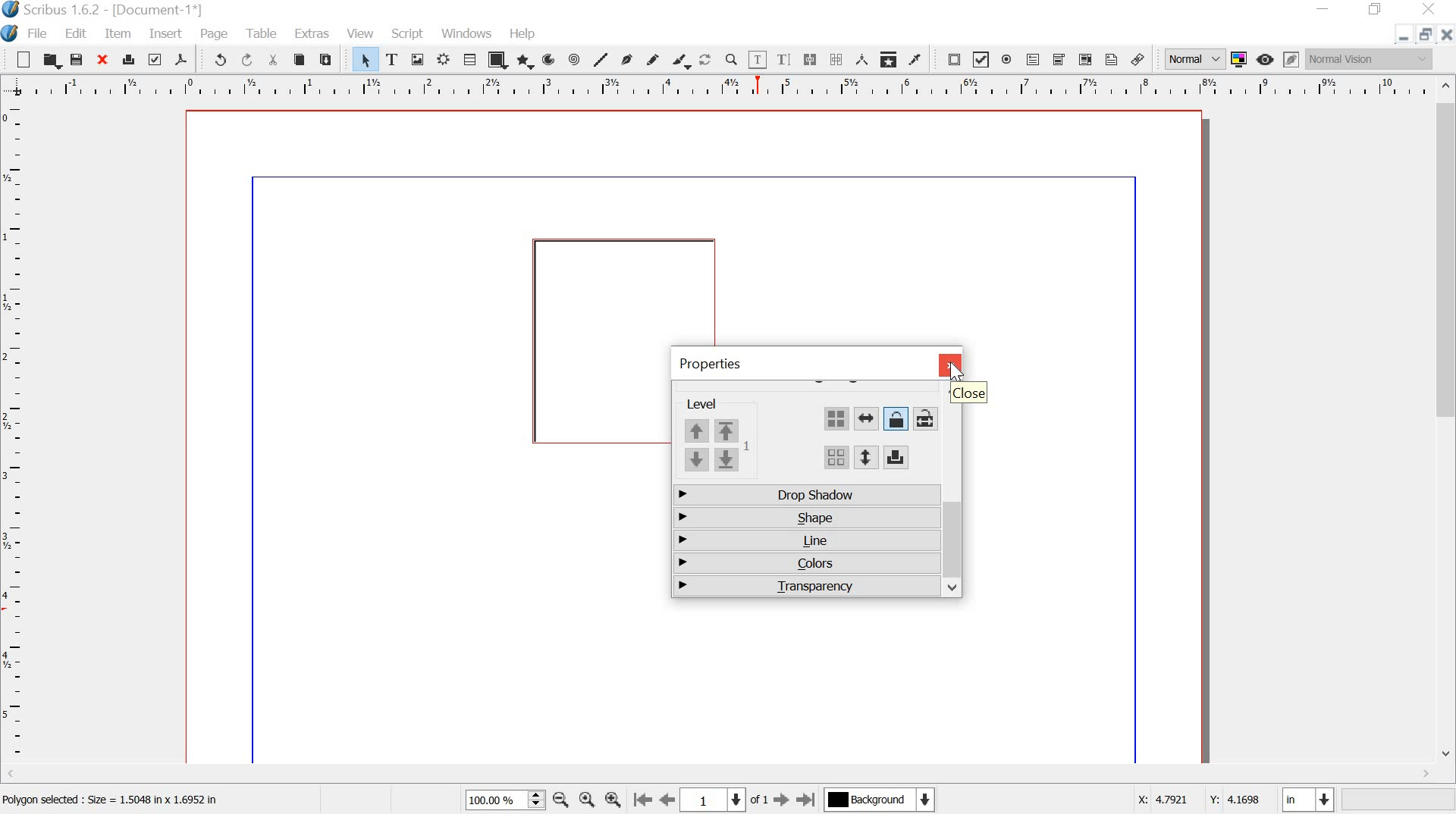 The width and height of the screenshot is (1456, 814). I want to click on print, so click(129, 59).